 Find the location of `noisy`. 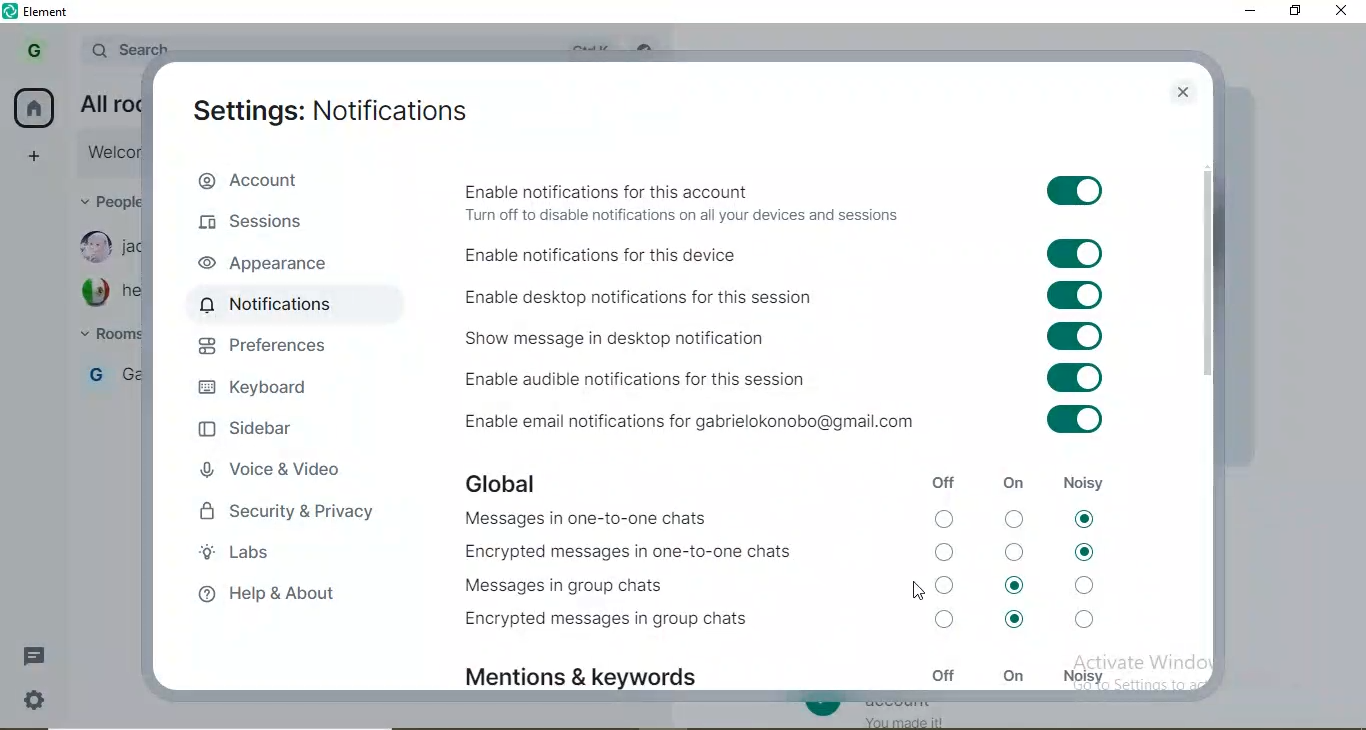

noisy is located at coordinates (1083, 673).